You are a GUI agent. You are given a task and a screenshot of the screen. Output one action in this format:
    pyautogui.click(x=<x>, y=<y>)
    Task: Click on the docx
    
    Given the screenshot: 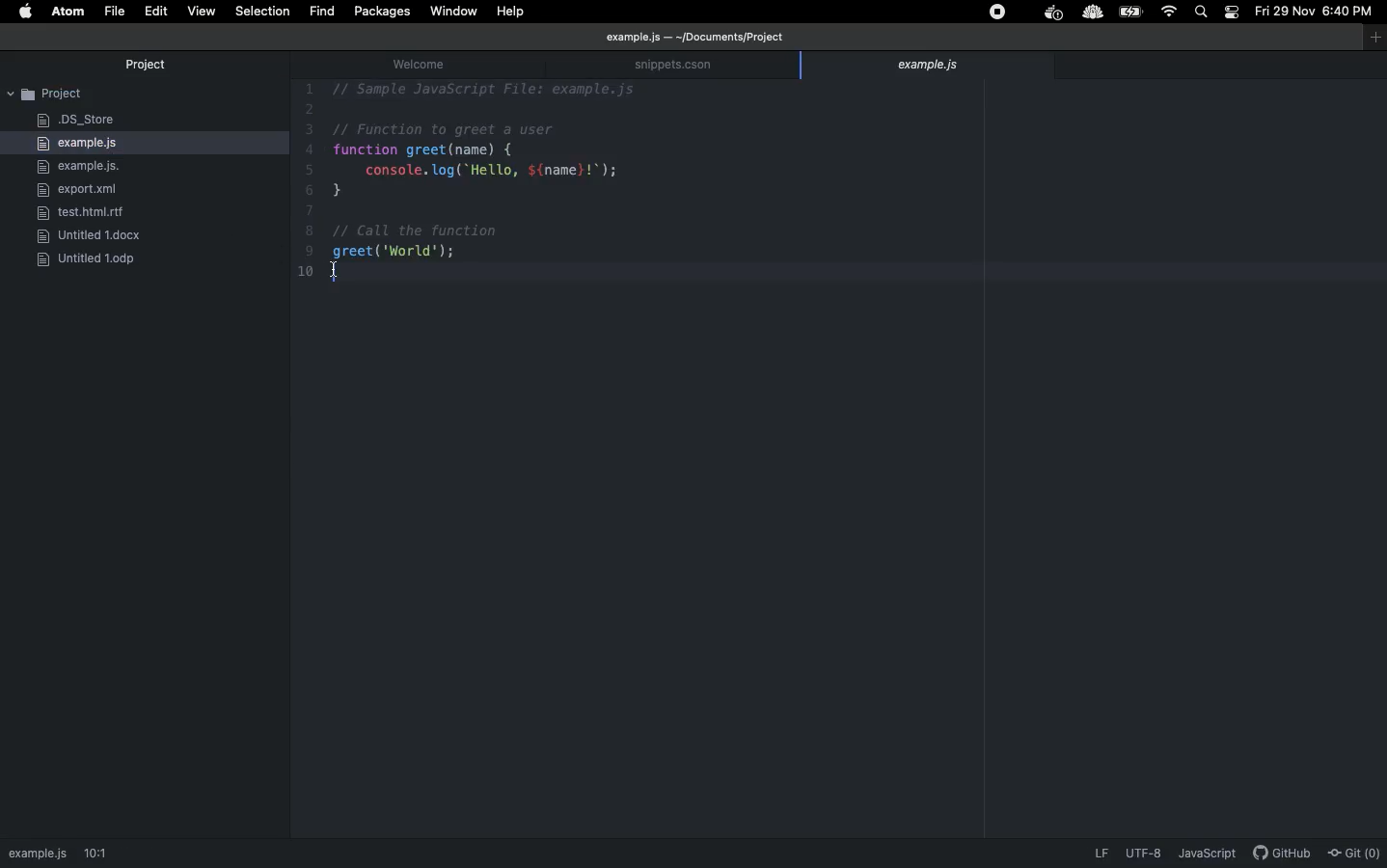 What is the action you would take?
    pyautogui.click(x=91, y=234)
    